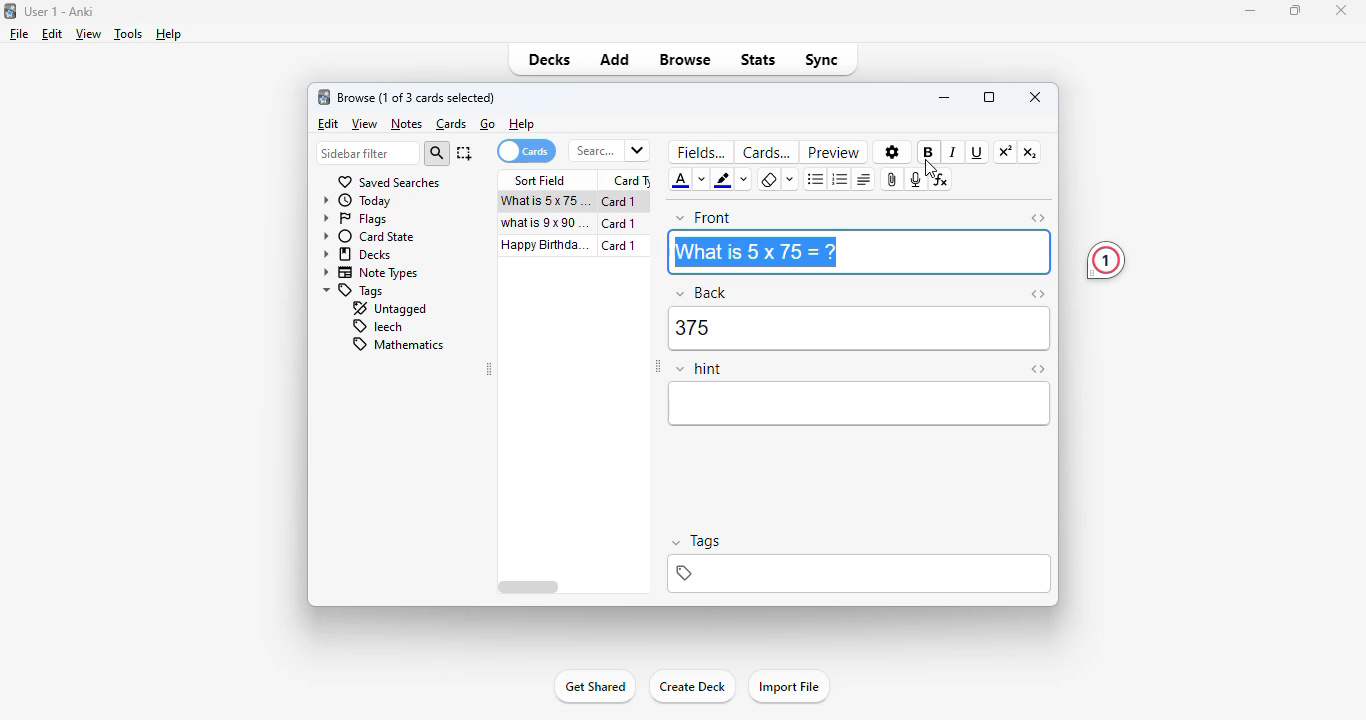  Describe the element at coordinates (90, 34) in the screenshot. I see `view` at that location.